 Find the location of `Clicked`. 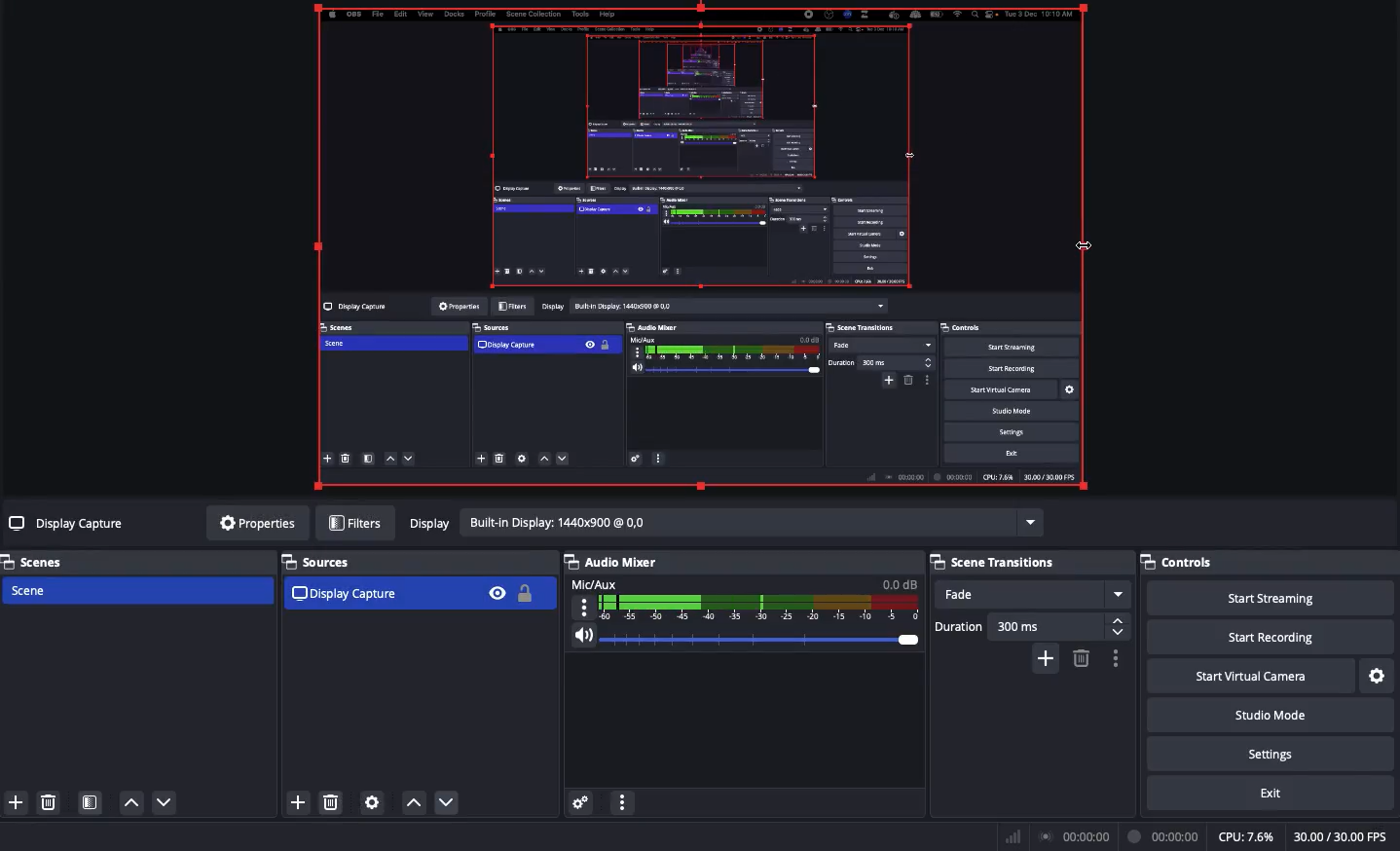

Clicked is located at coordinates (694, 245).